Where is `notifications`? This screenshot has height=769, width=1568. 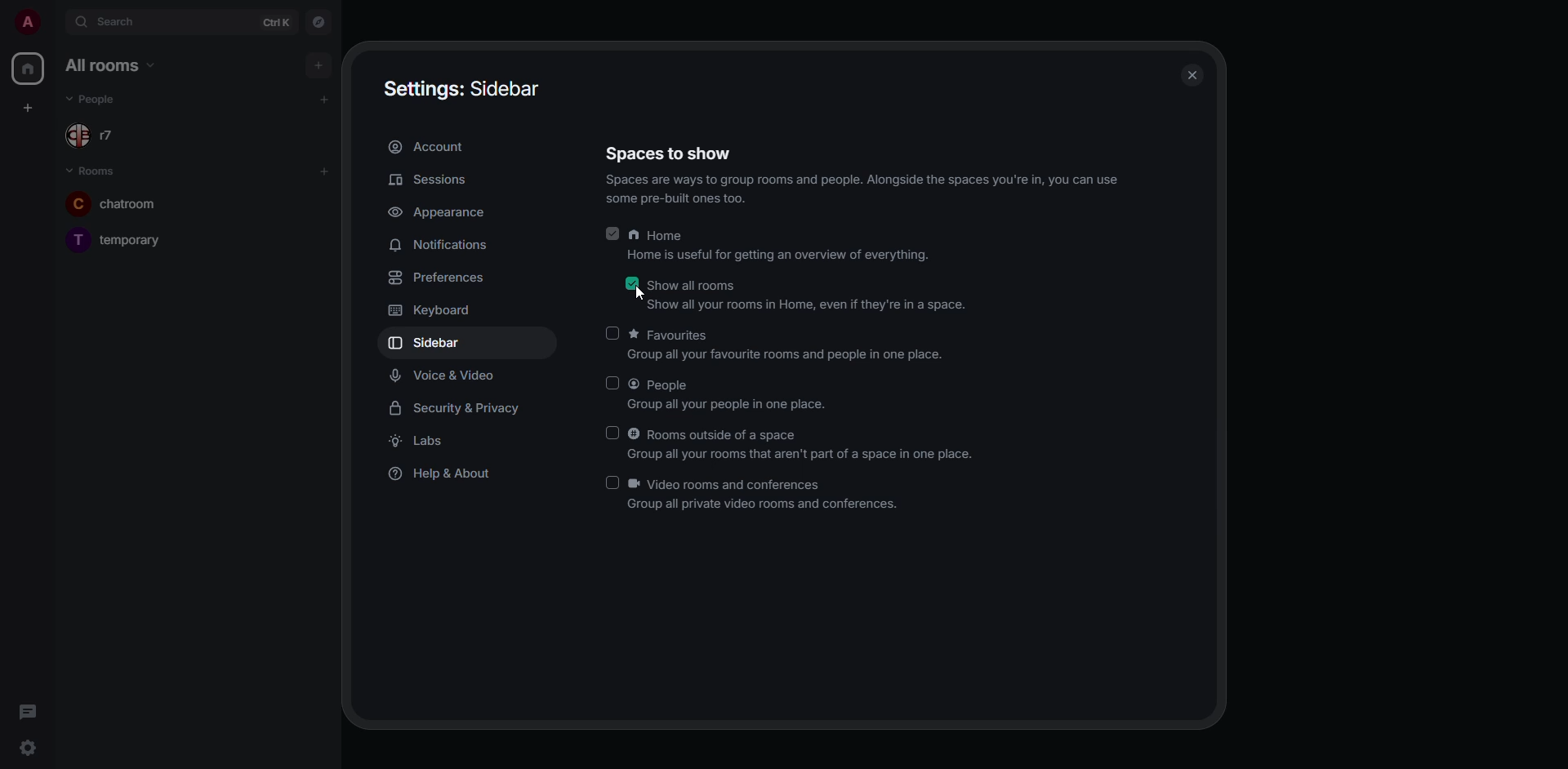
notifications is located at coordinates (442, 245).